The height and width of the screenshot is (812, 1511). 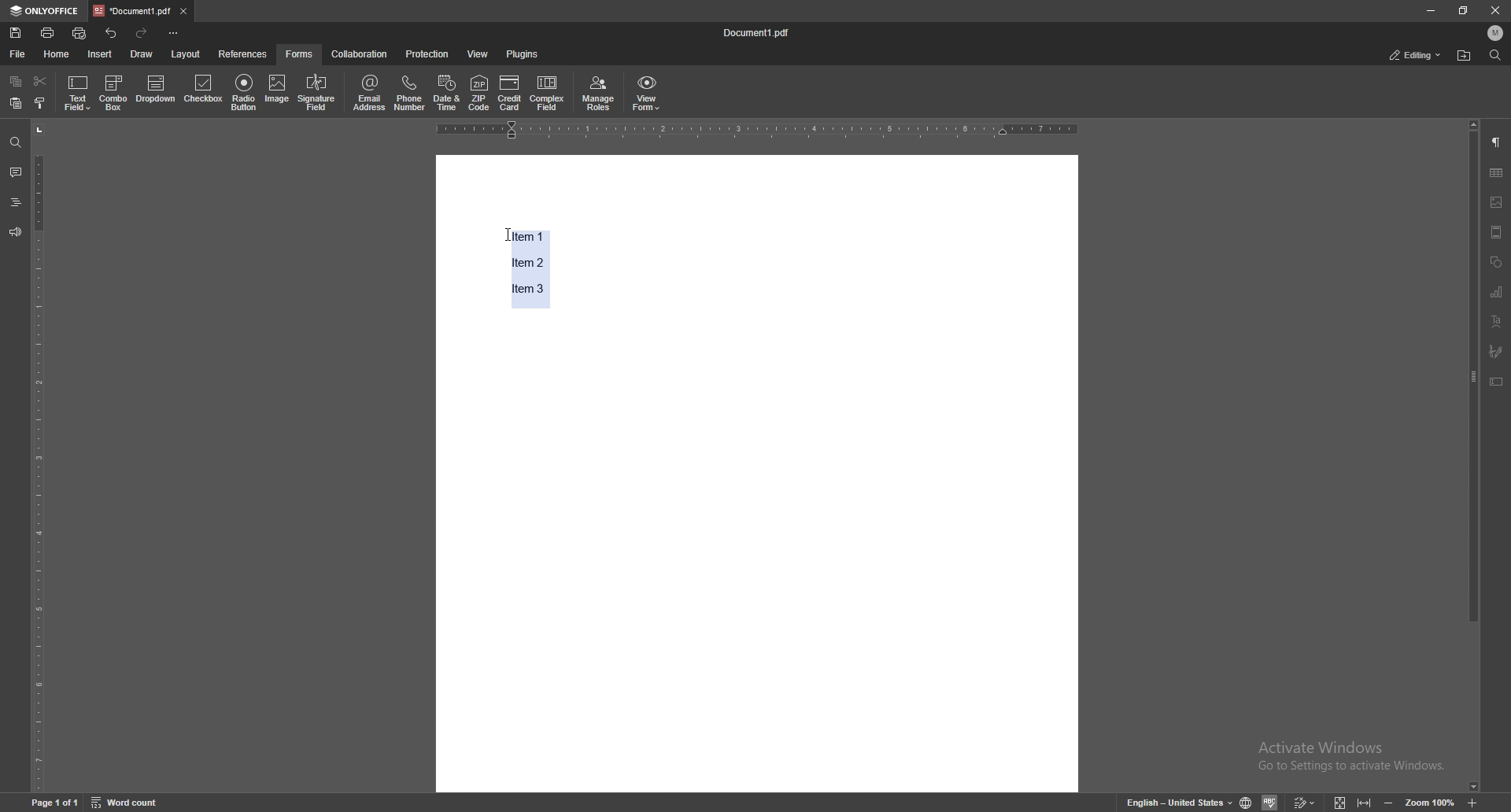 What do you see at coordinates (16, 172) in the screenshot?
I see `comment` at bounding box center [16, 172].